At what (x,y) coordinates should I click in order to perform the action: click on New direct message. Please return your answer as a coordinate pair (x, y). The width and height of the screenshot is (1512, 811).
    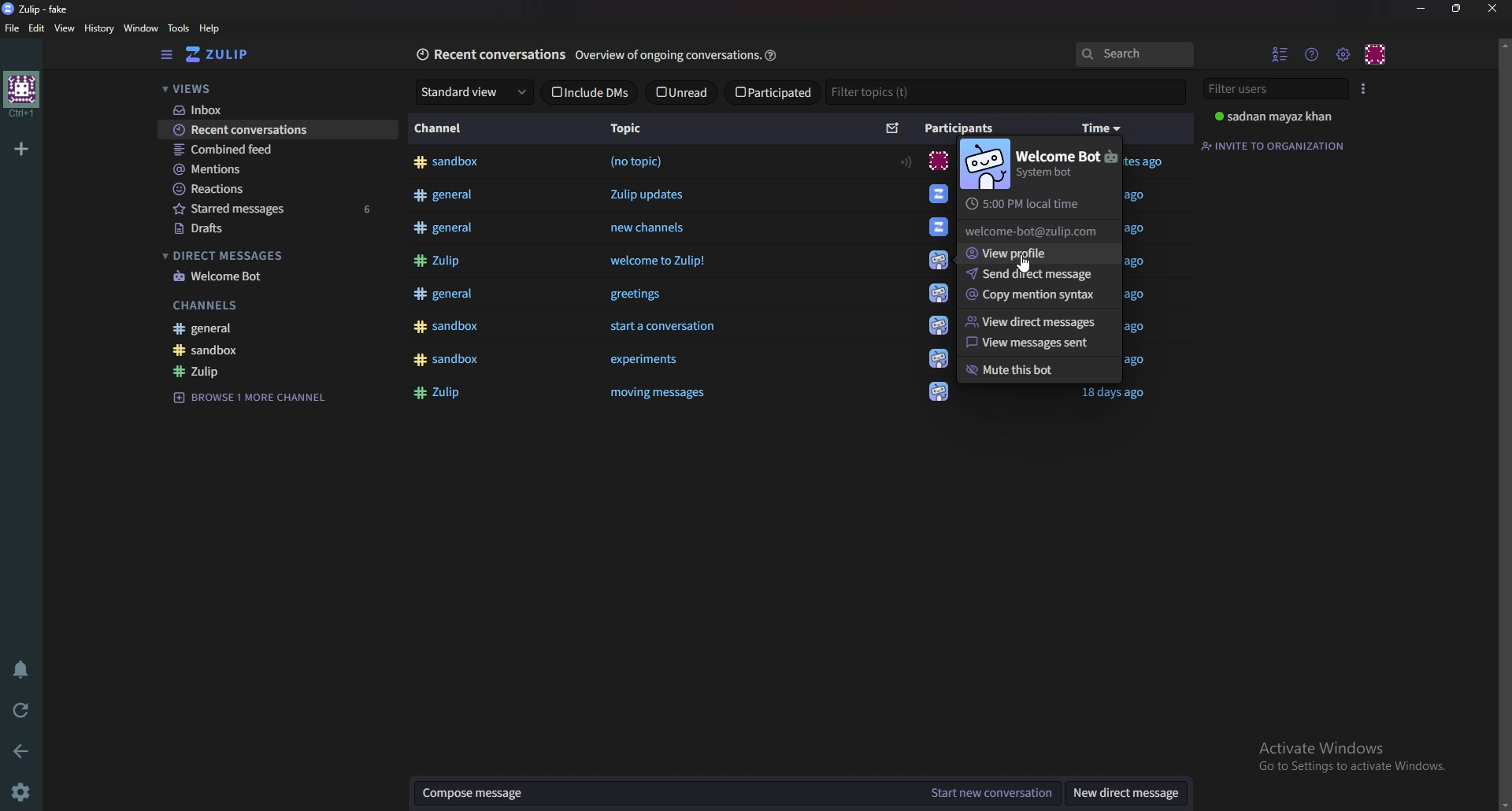
    Looking at the image, I should click on (1126, 795).